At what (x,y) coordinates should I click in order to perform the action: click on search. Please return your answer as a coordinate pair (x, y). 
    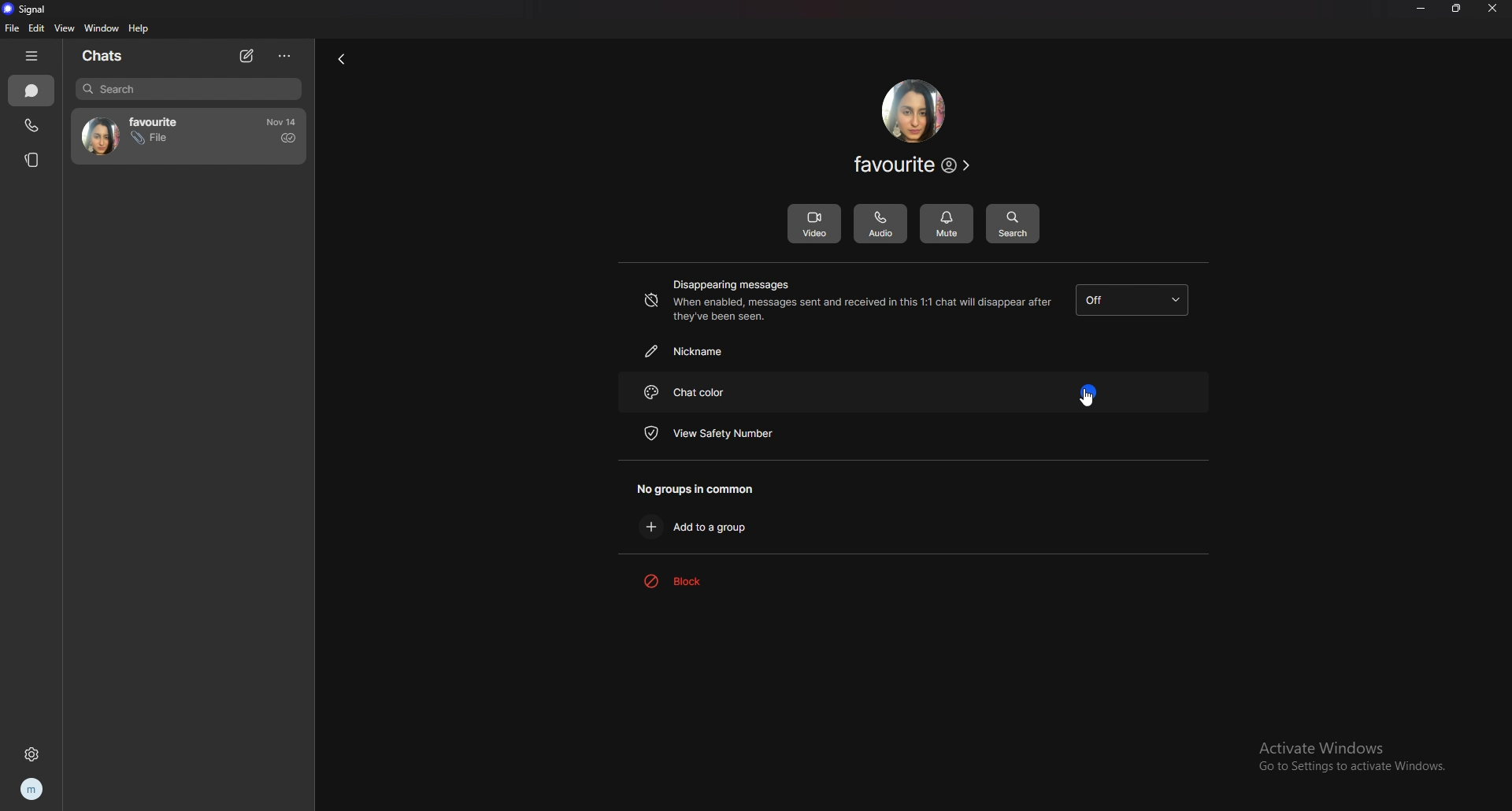
    Looking at the image, I should click on (188, 90).